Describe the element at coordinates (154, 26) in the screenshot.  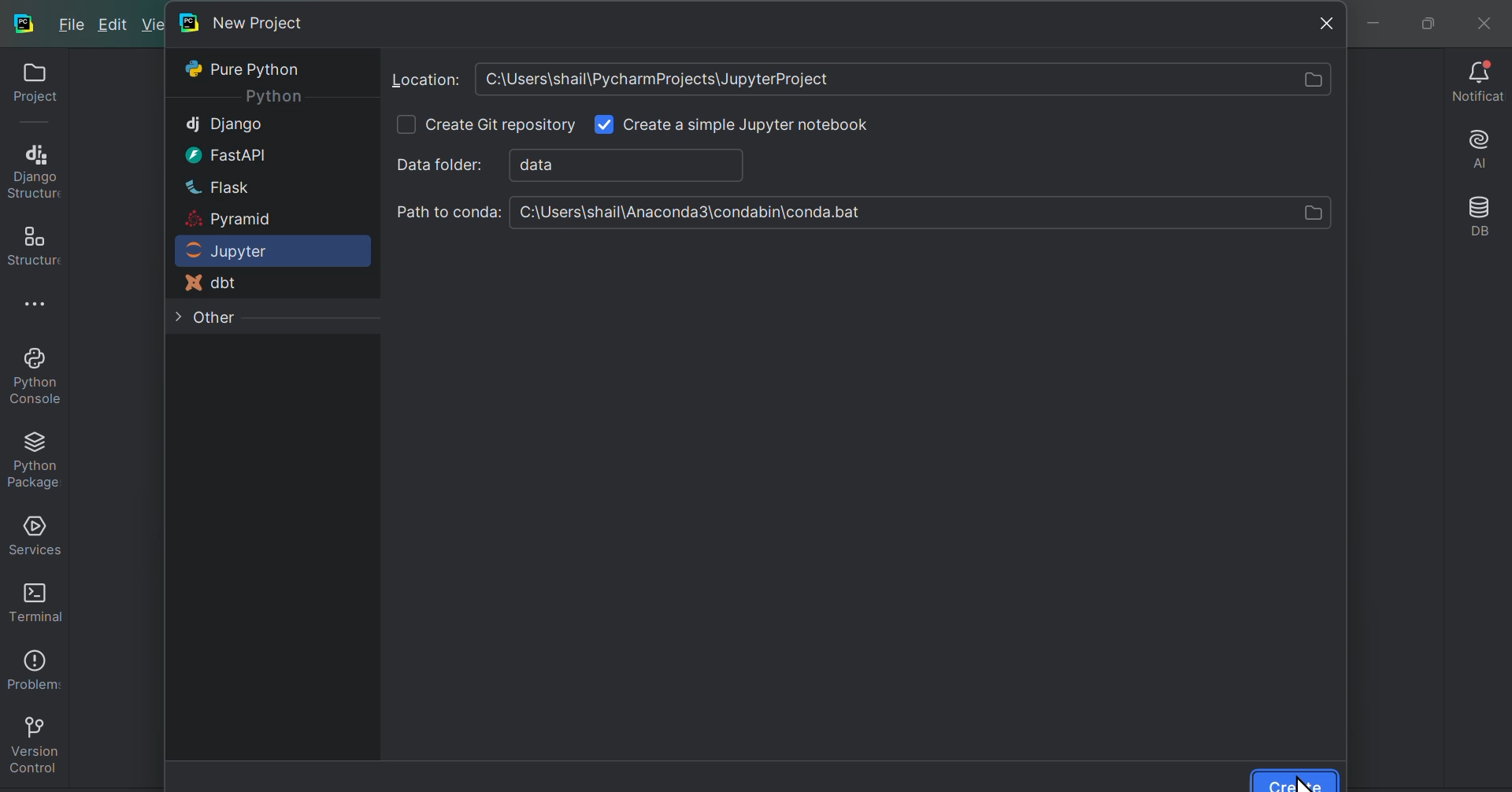
I see `New` at that location.